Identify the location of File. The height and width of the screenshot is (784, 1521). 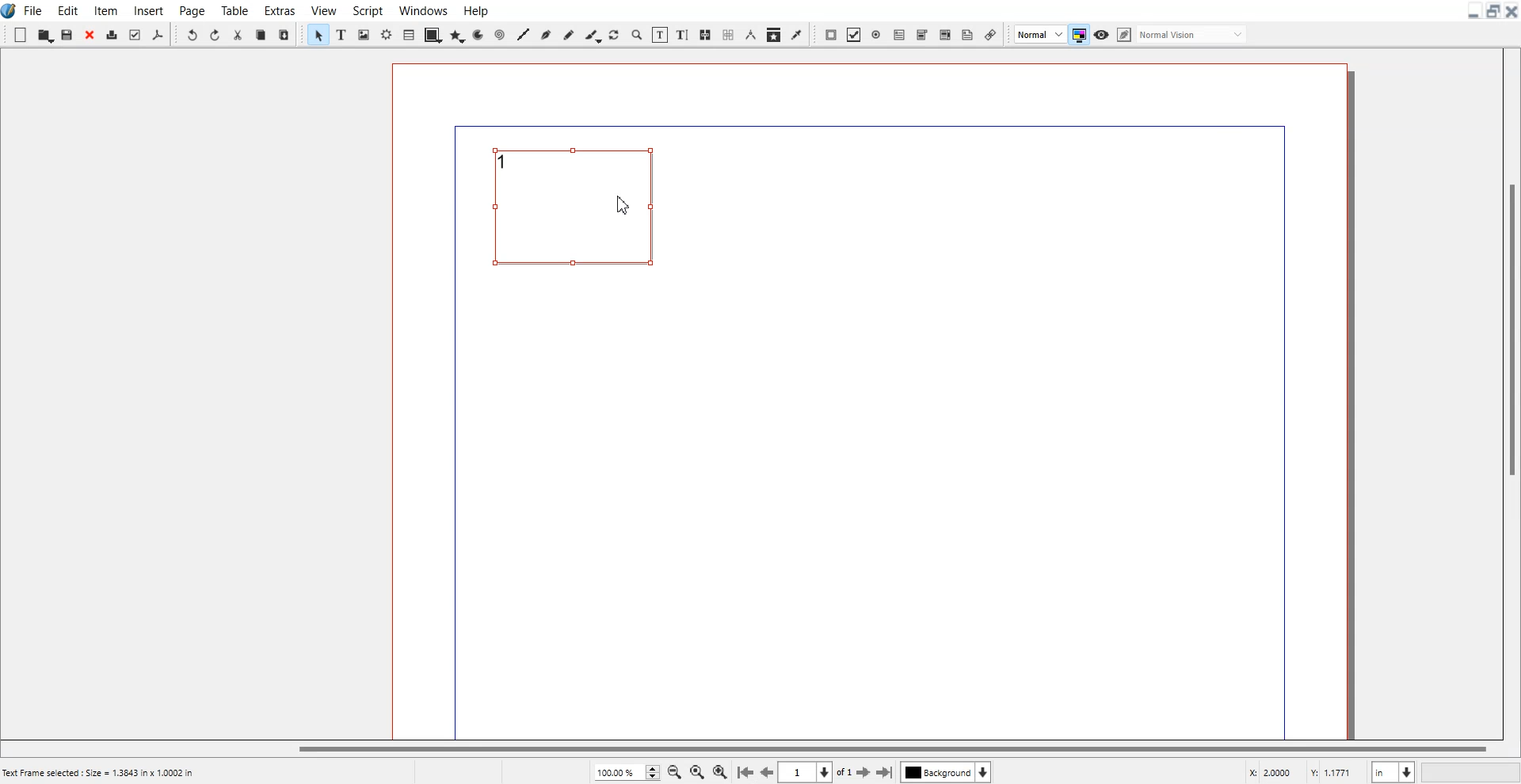
(34, 10).